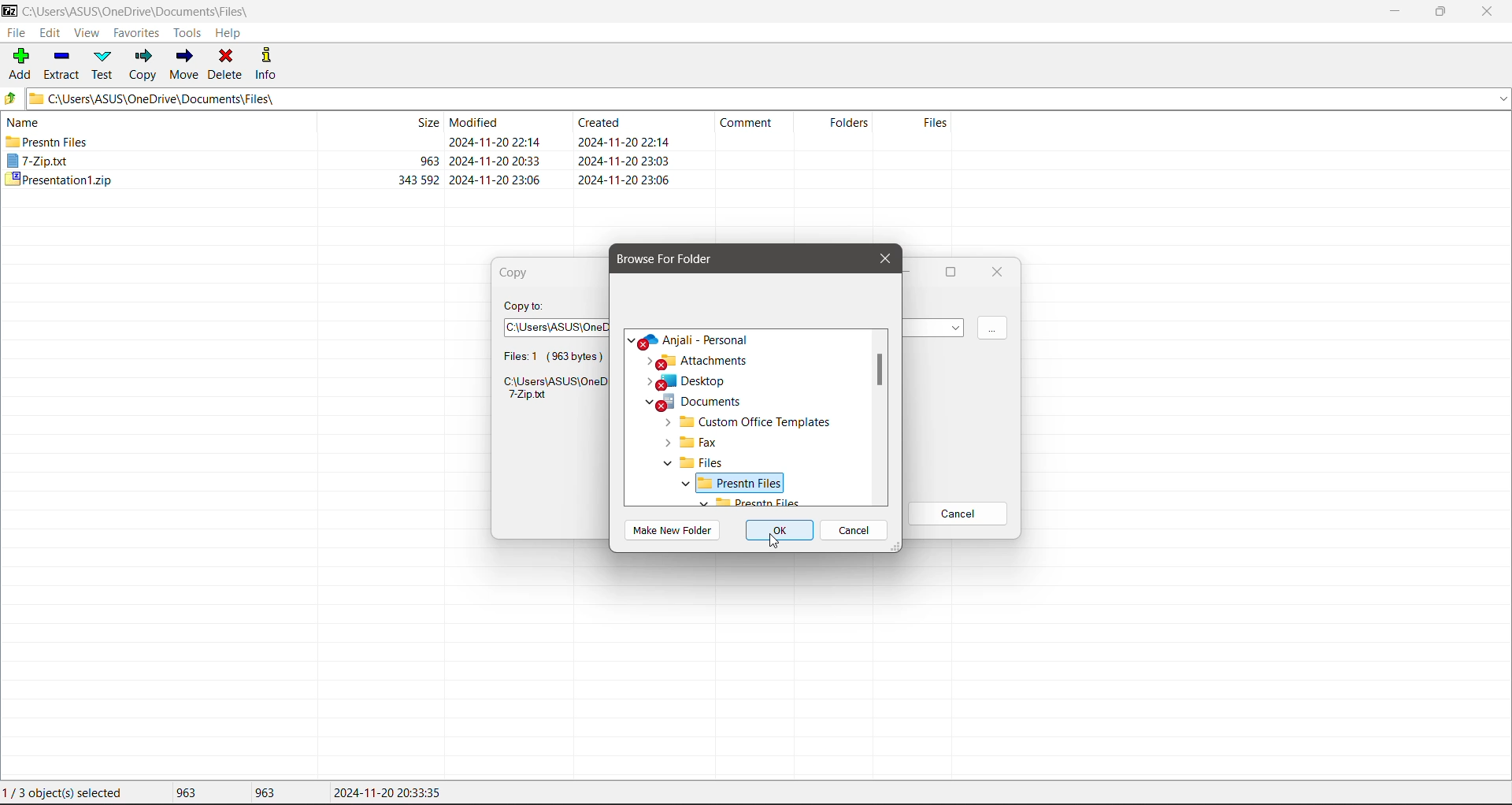 The image size is (1512, 805). Describe the element at coordinates (1488, 12) in the screenshot. I see `Close` at that location.